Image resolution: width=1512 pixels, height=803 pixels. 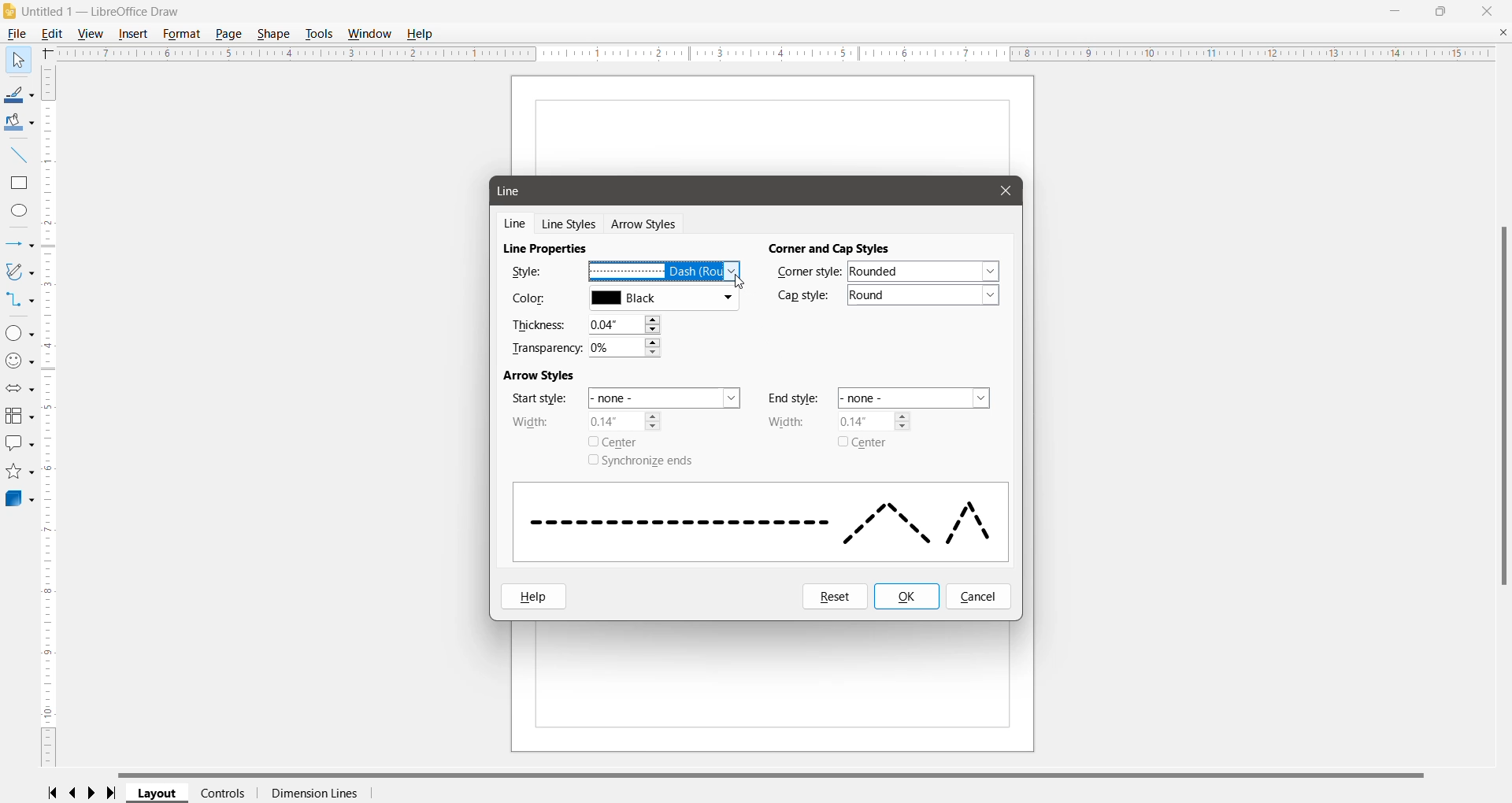 What do you see at coordinates (536, 423) in the screenshot?
I see `Width` at bounding box center [536, 423].